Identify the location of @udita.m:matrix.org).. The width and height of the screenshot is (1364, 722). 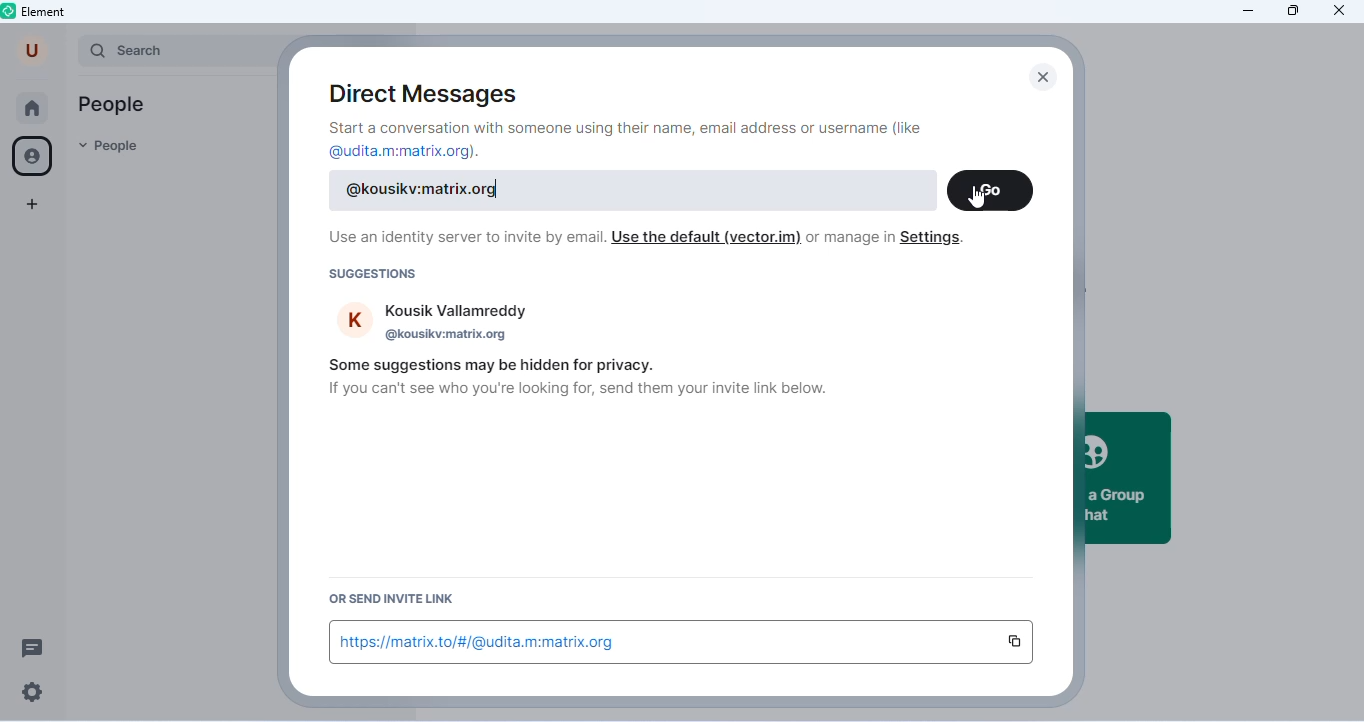
(404, 151).